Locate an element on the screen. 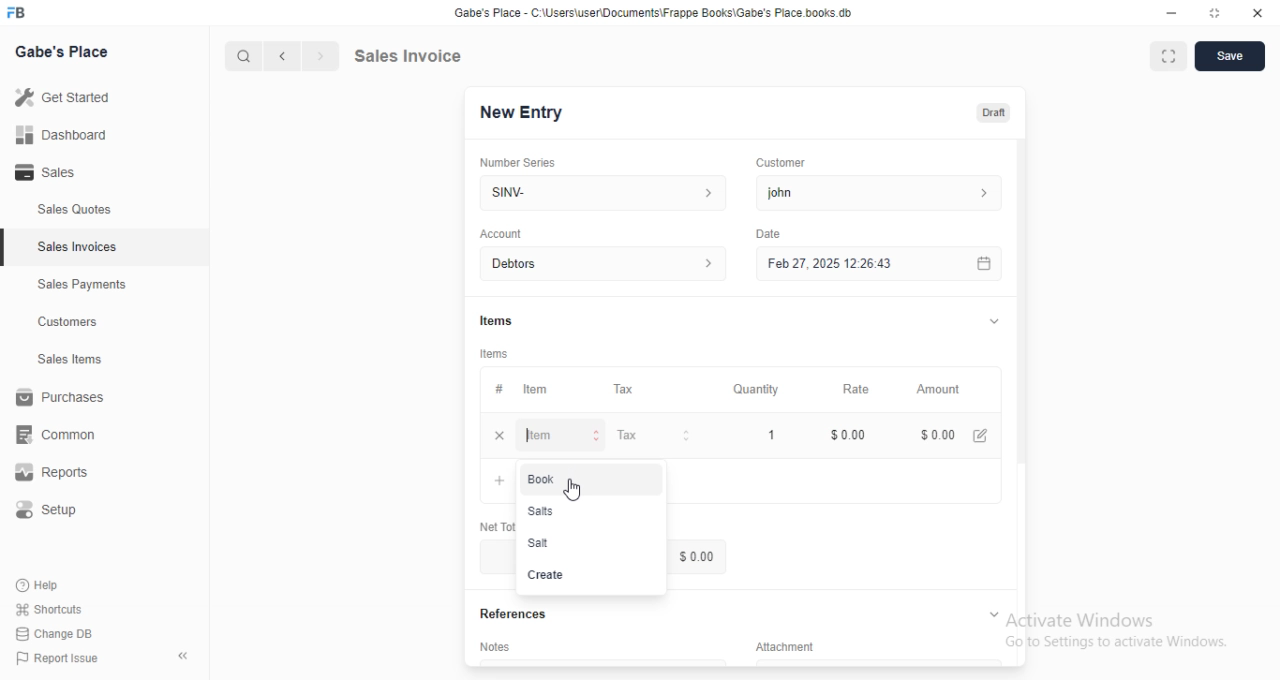  Sat is located at coordinates (540, 543).